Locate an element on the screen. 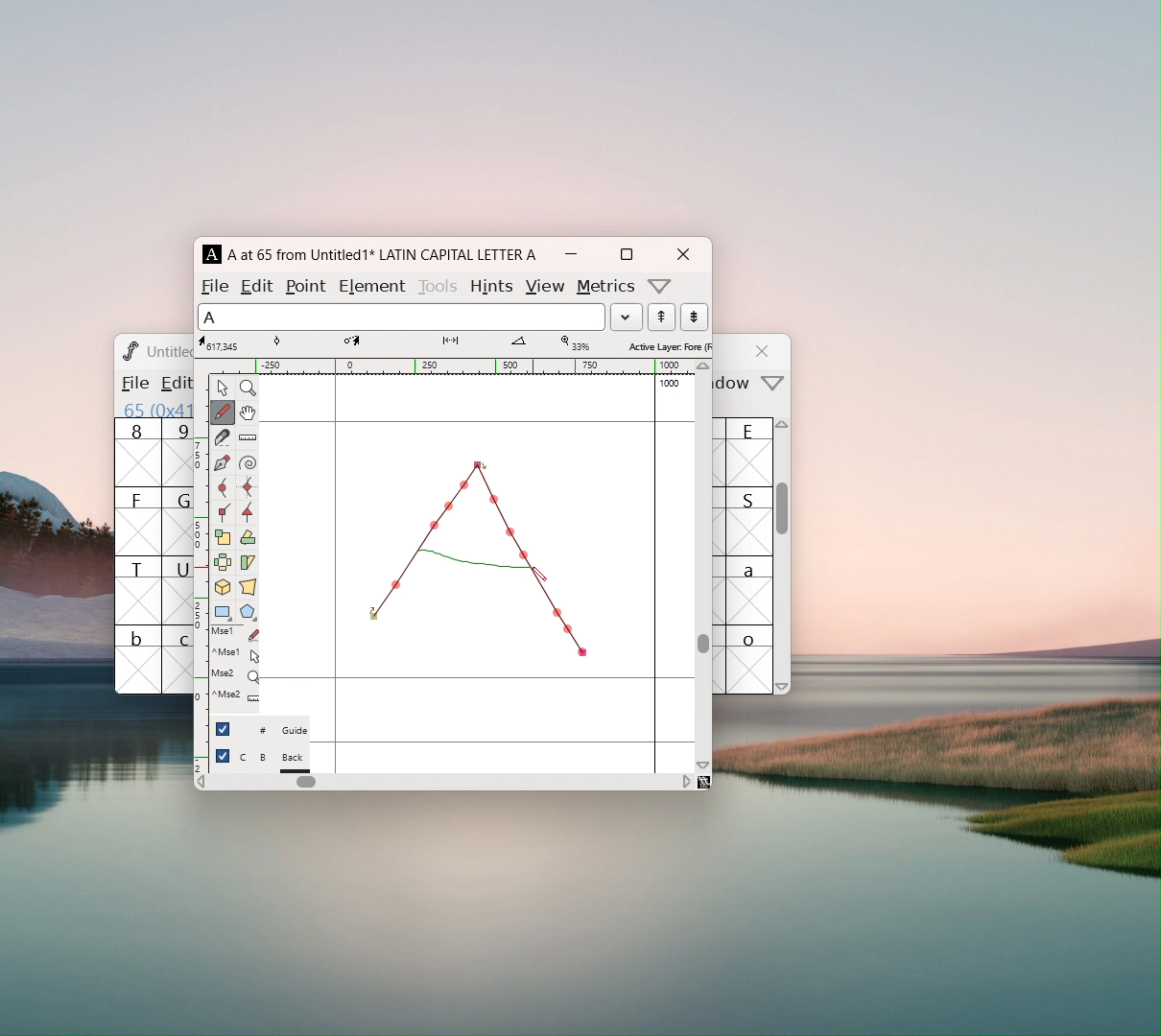 The height and width of the screenshot is (1036, 1161). C B Back is located at coordinates (273, 760).